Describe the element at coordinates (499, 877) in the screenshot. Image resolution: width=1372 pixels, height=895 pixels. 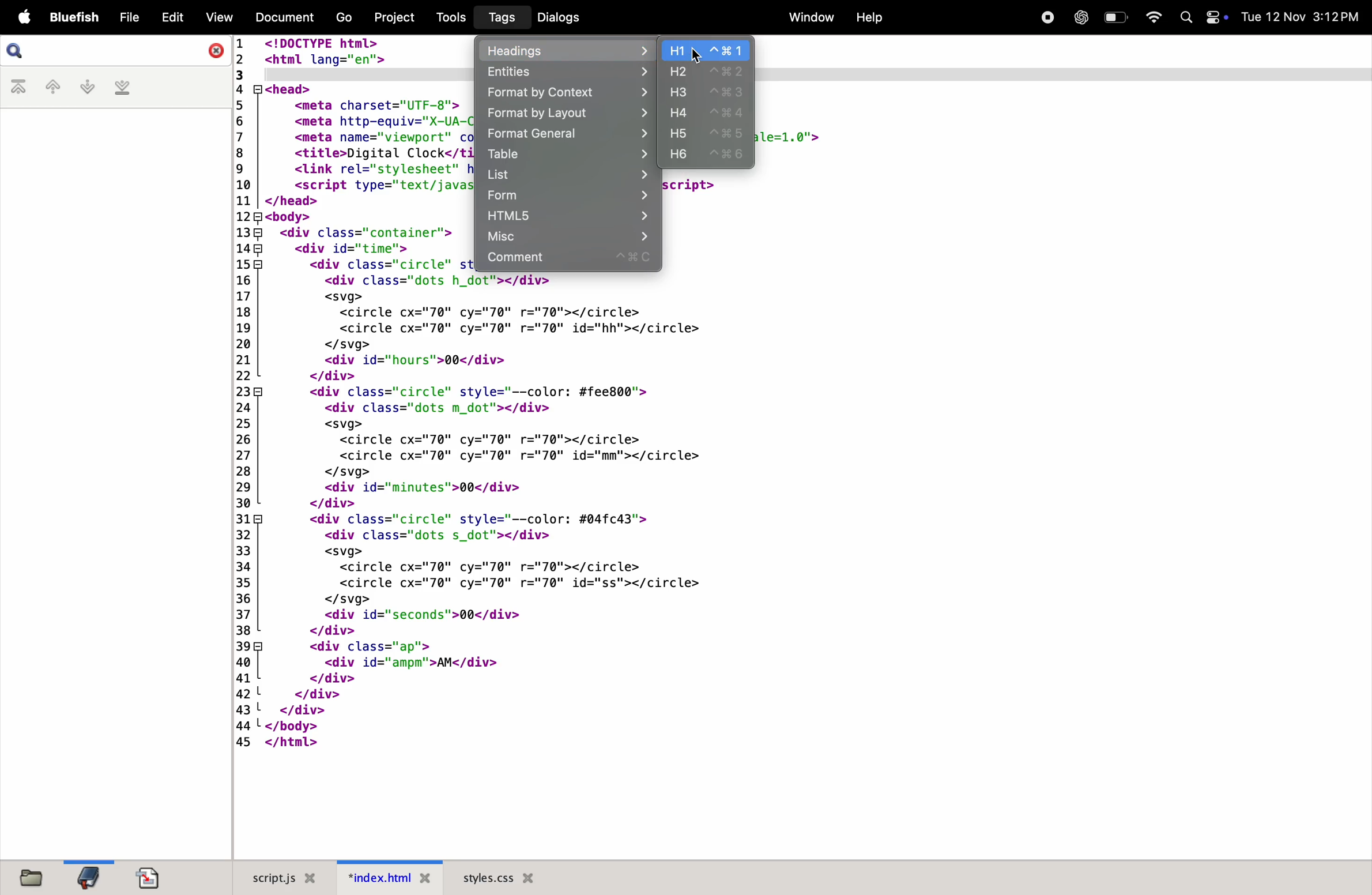
I see `styles.css` at that location.